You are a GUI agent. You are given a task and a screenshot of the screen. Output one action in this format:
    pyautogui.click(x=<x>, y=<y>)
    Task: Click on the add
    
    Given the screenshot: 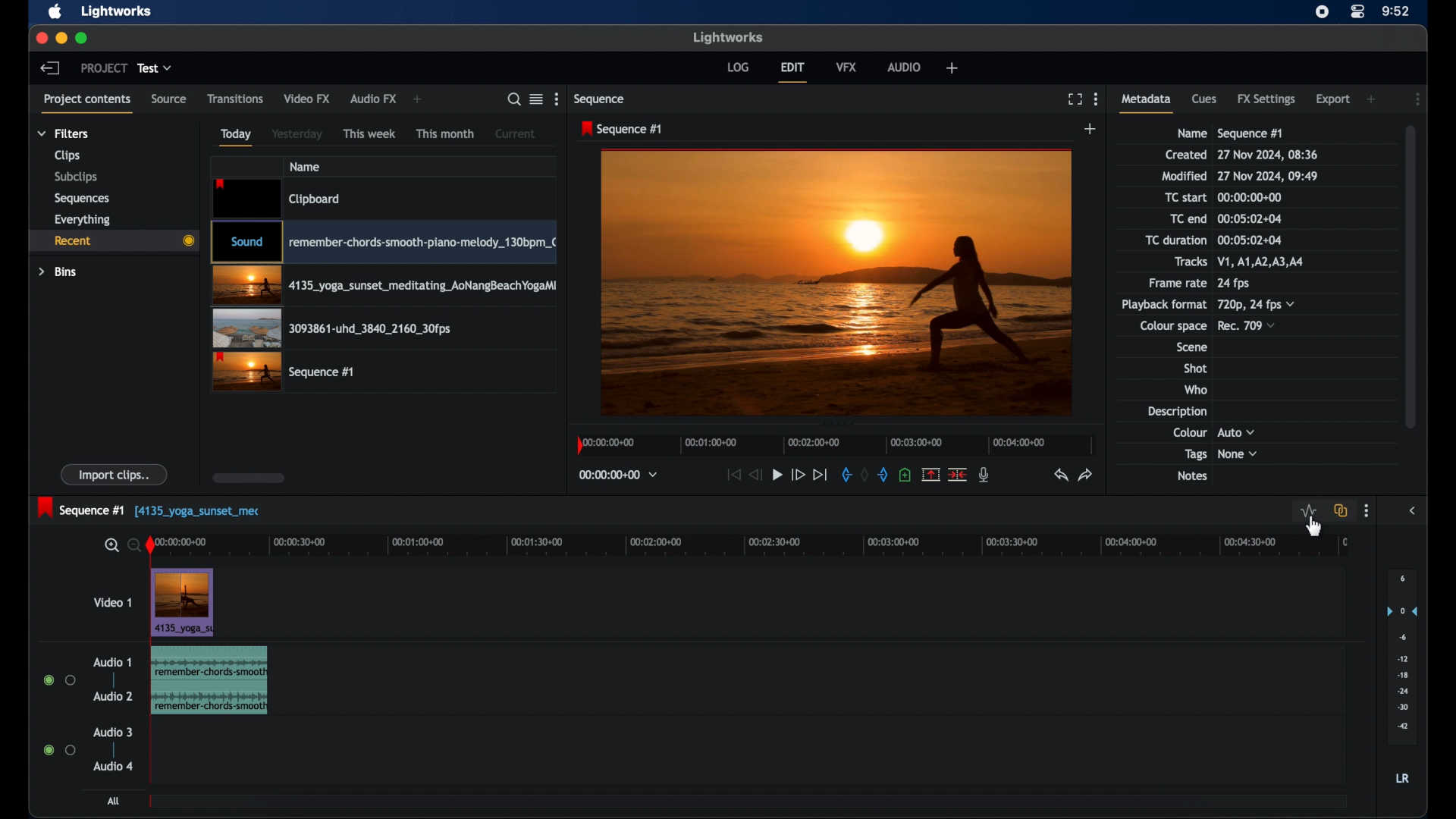 What is the action you would take?
    pyautogui.click(x=419, y=99)
    